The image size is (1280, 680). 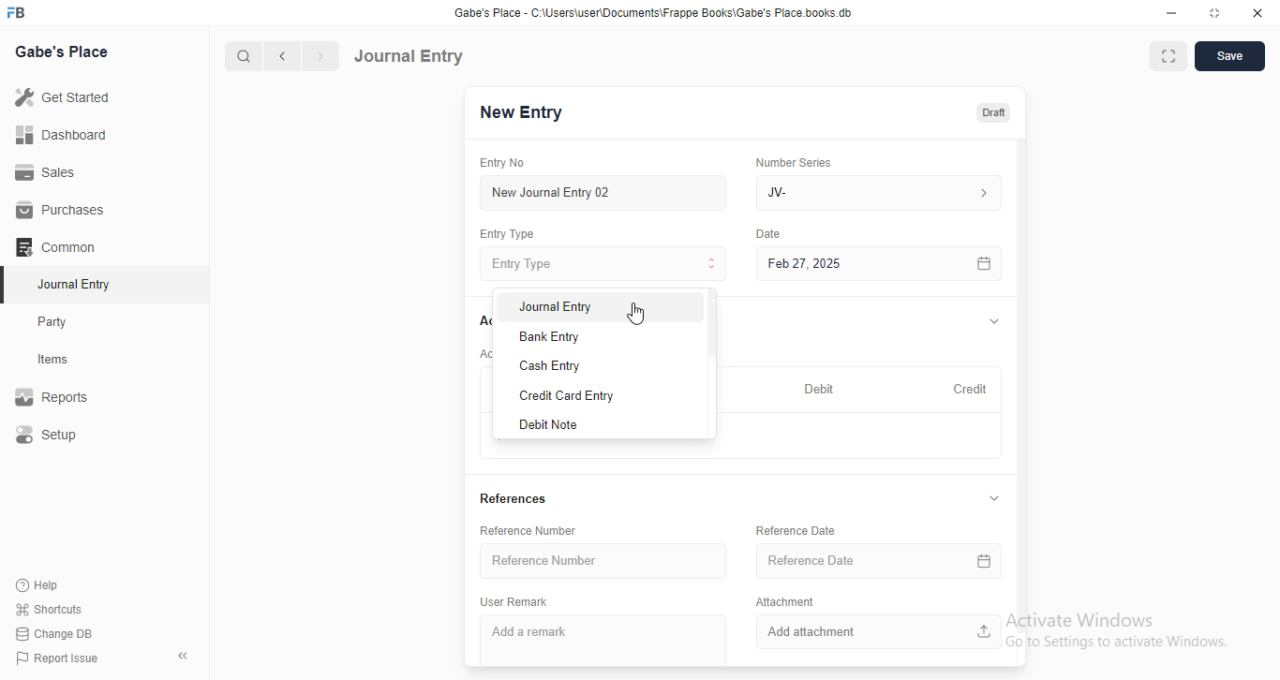 What do you see at coordinates (996, 112) in the screenshot?
I see `Draft` at bounding box center [996, 112].